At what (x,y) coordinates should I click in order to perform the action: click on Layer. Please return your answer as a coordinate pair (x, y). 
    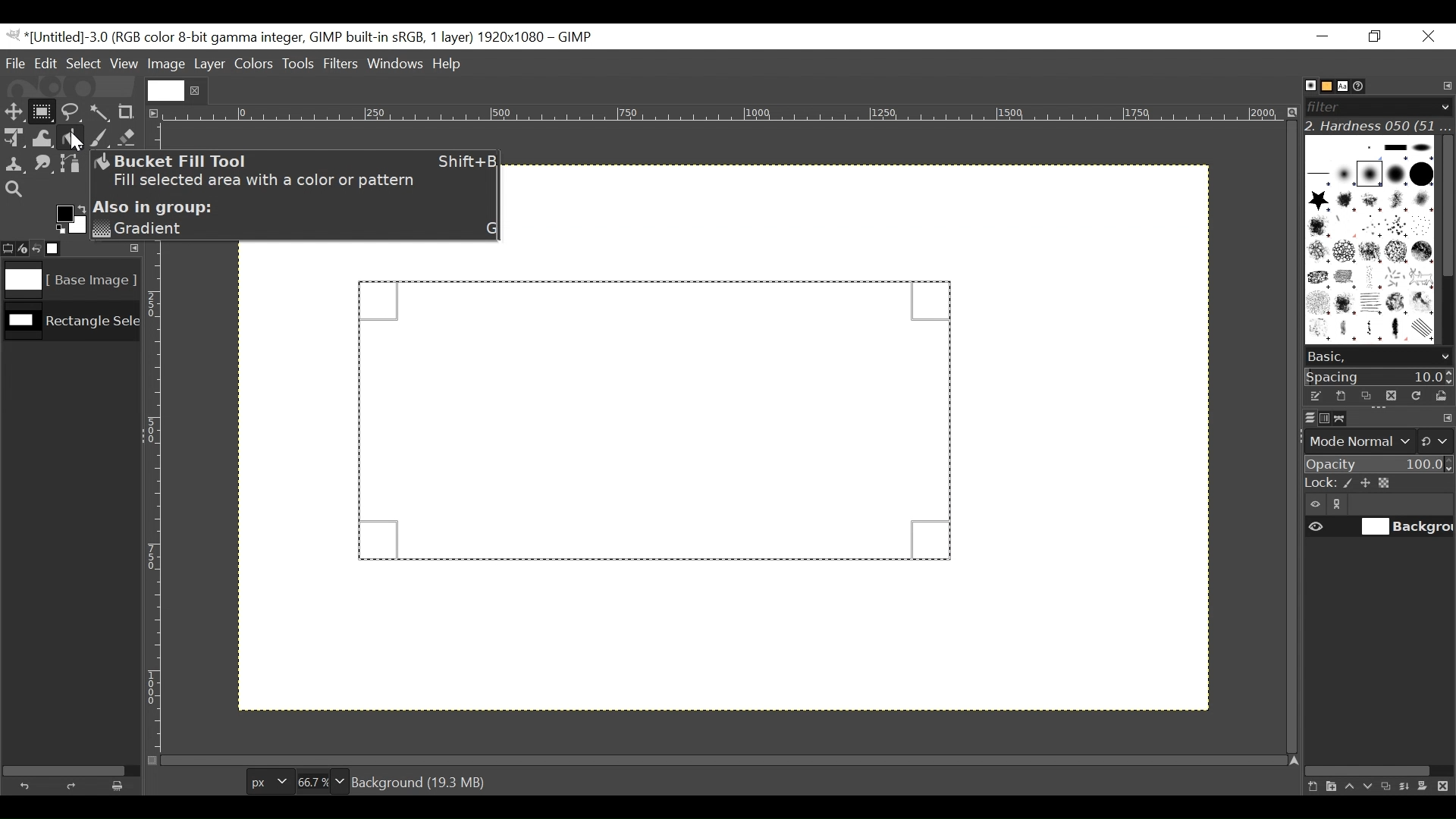
    Looking at the image, I should click on (209, 63).